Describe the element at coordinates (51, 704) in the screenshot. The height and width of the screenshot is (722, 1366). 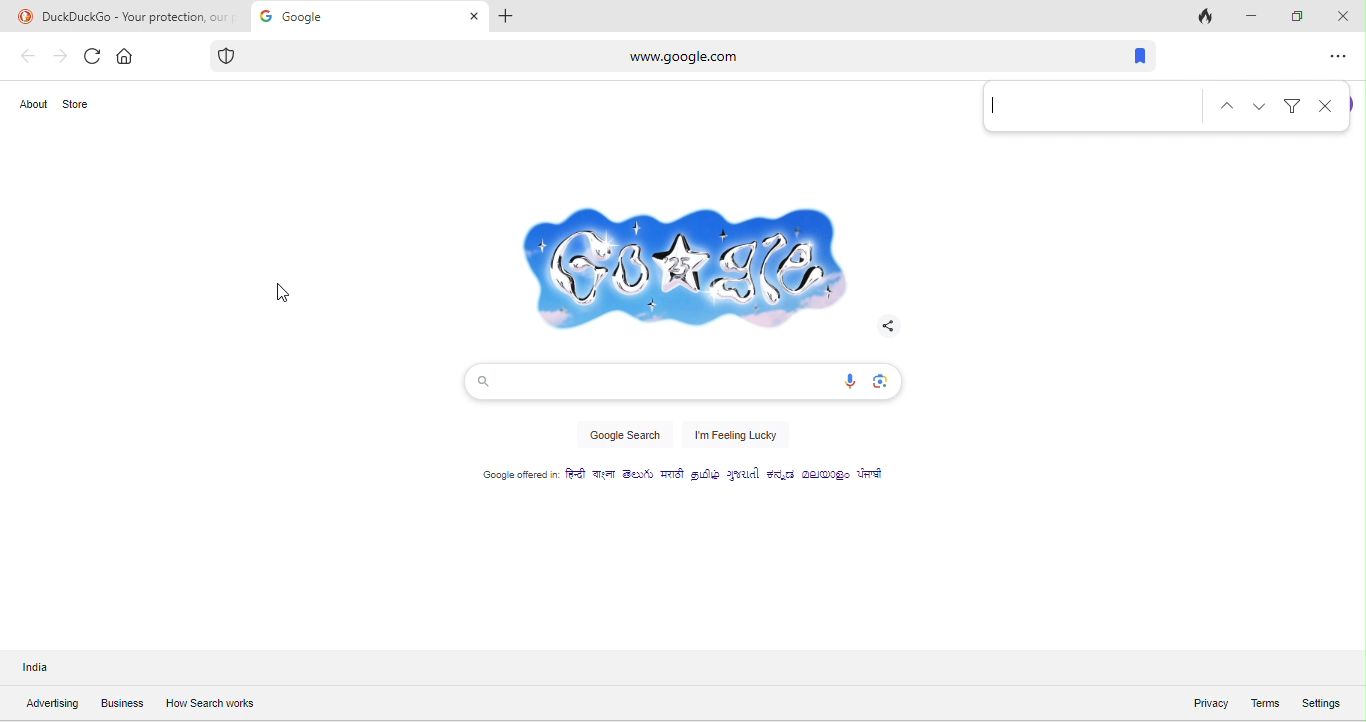
I see `advertising` at that location.